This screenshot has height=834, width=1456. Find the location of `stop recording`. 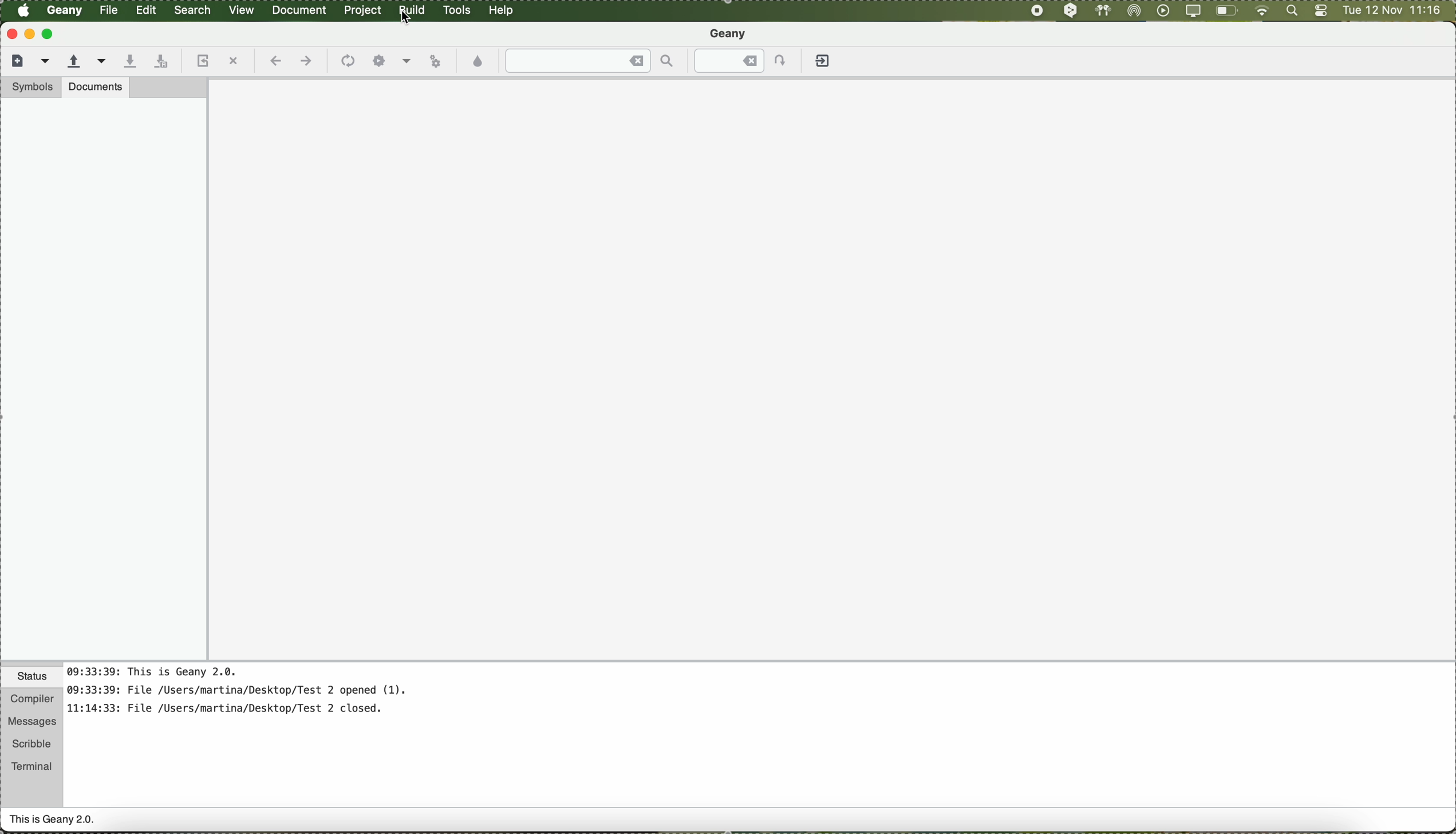

stop recording is located at coordinates (1036, 10).